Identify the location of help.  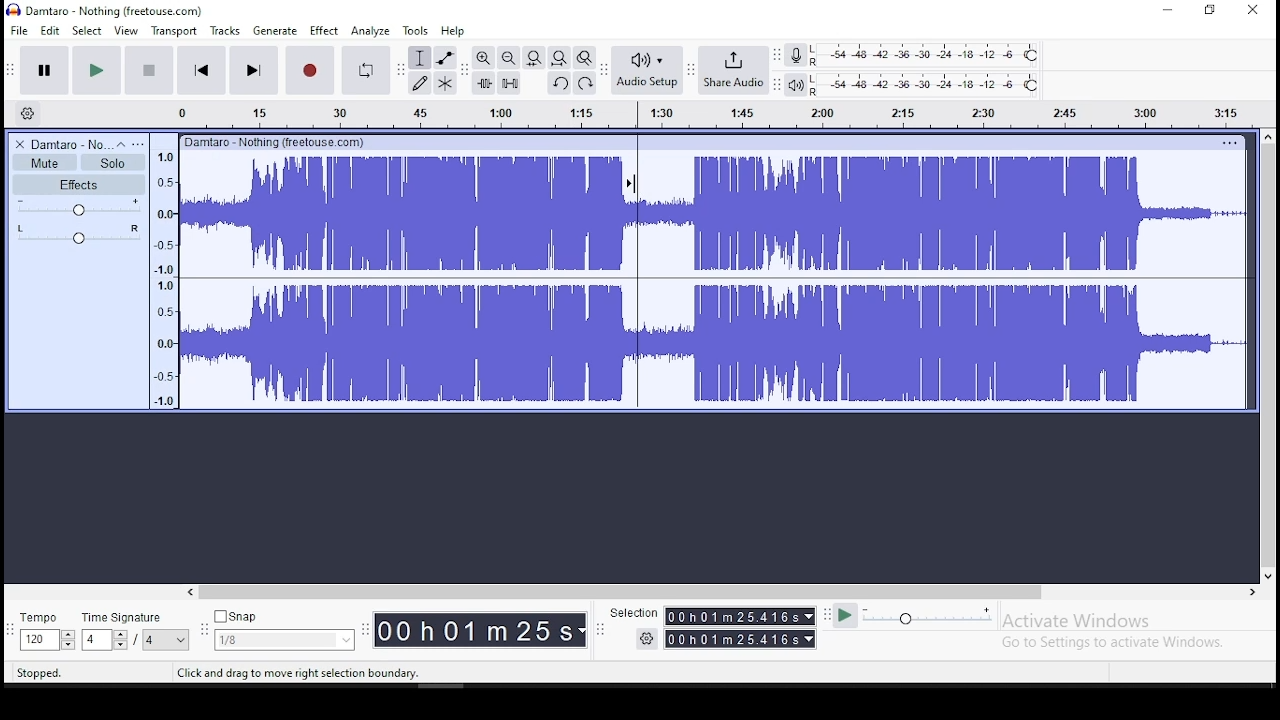
(453, 31).